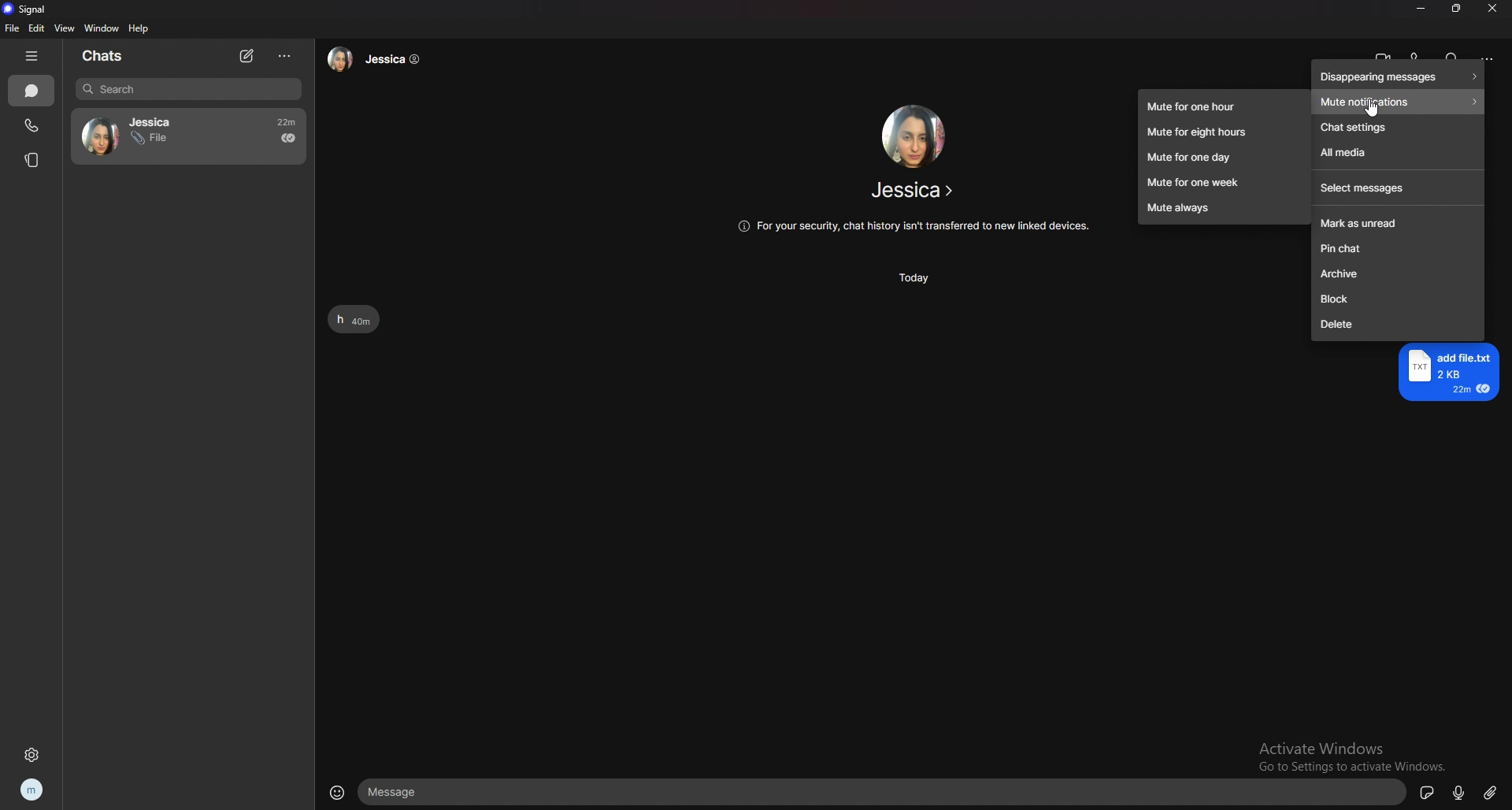 This screenshot has height=810, width=1512. What do you see at coordinates (280, 121) in the screenshot?
I see `22m` at bounding box center [280, 121].